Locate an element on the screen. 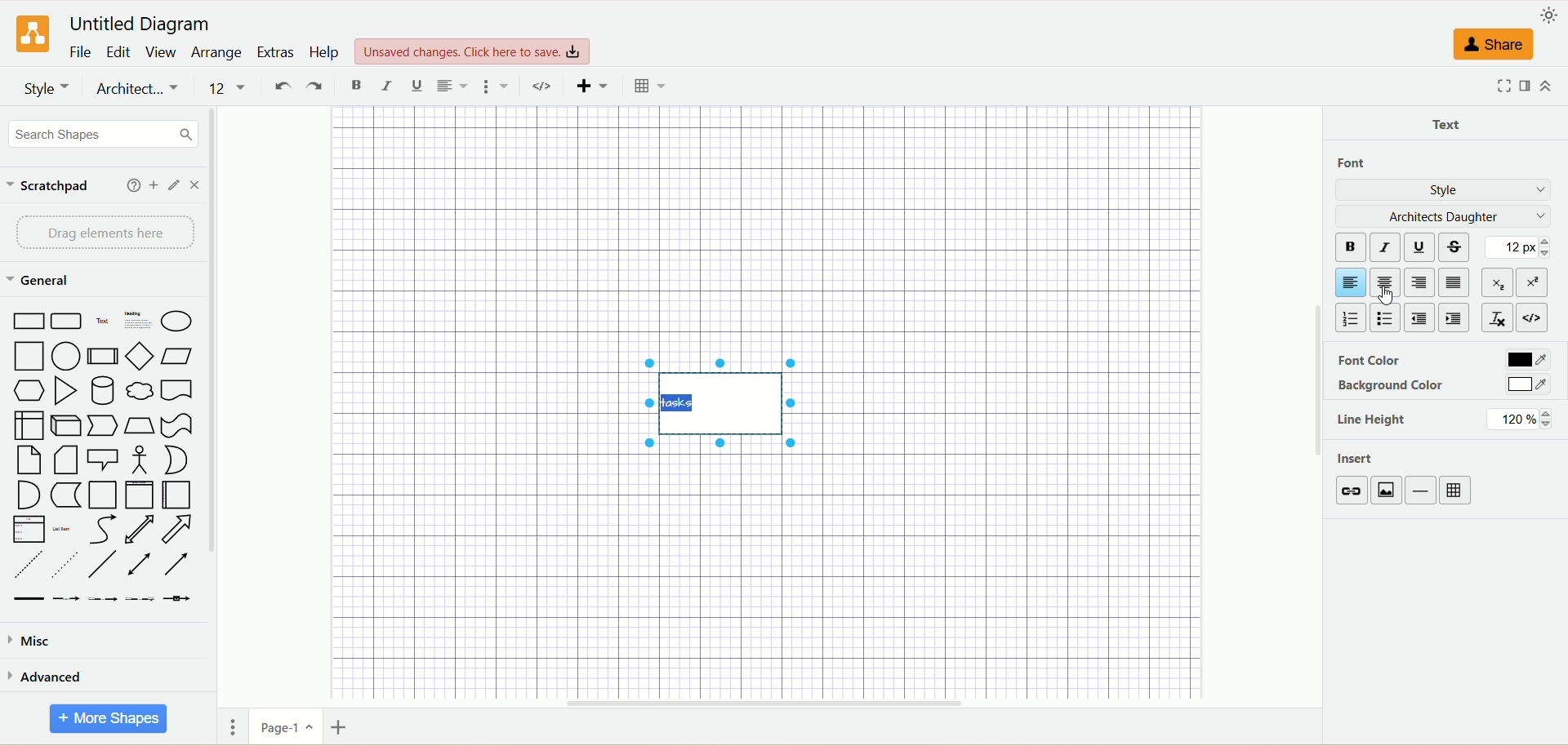 This screenshot has width=1568, height=746. left is located at coordinates (1348, 282).